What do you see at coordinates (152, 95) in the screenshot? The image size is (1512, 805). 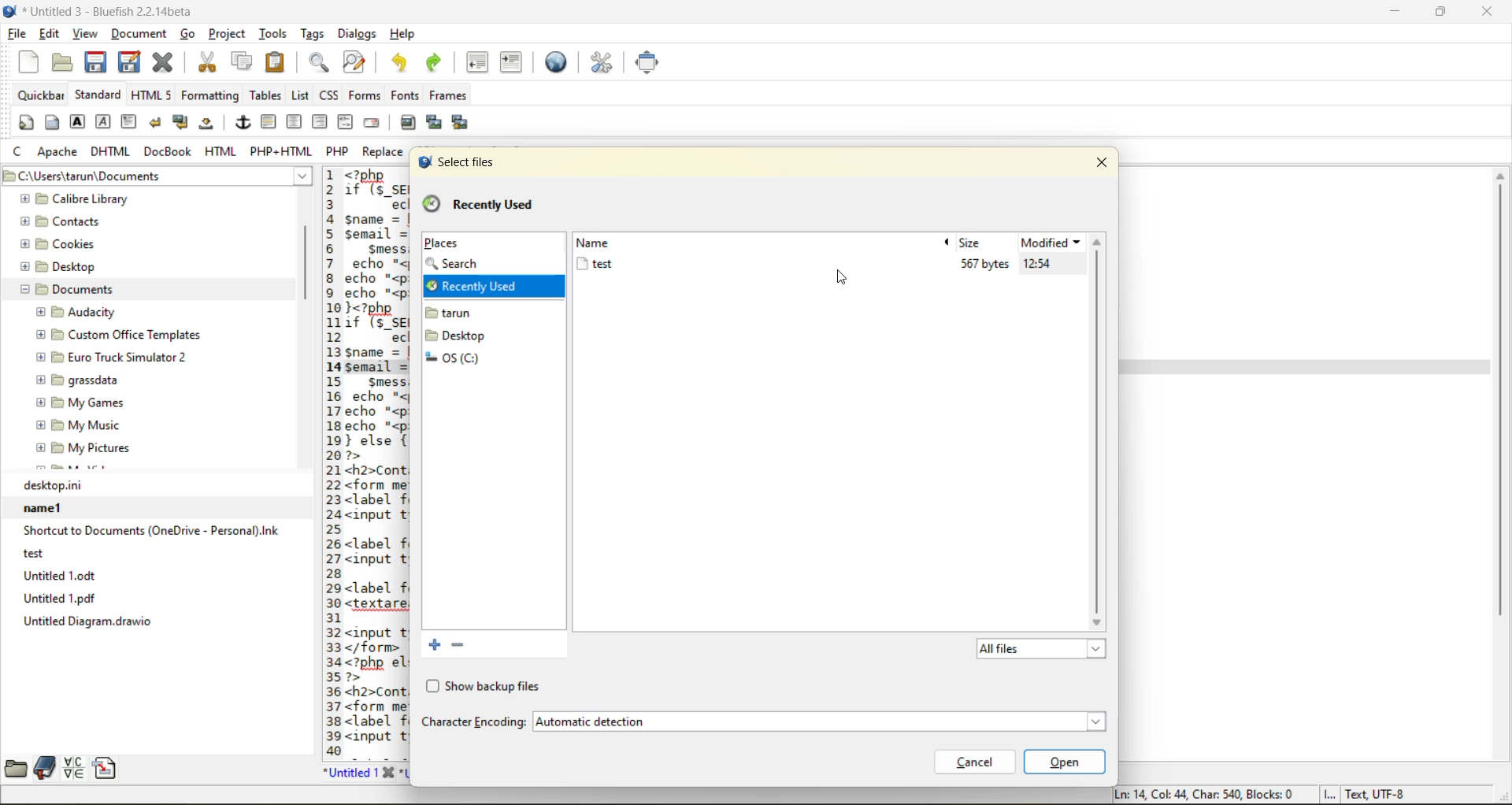 I see `html 5` at bounding box center [152, 95].